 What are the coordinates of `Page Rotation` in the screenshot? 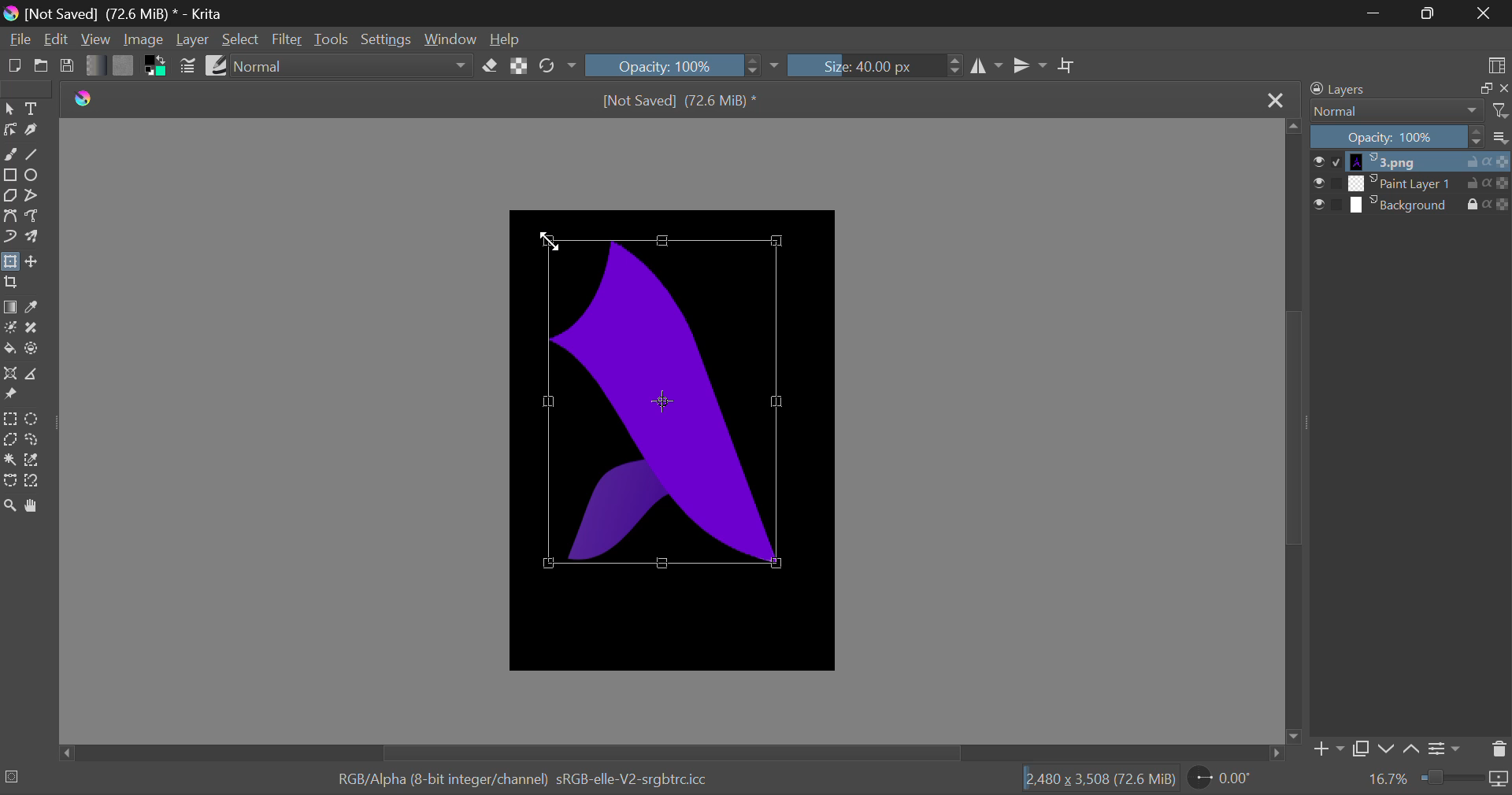 It's located at (1230, 778).